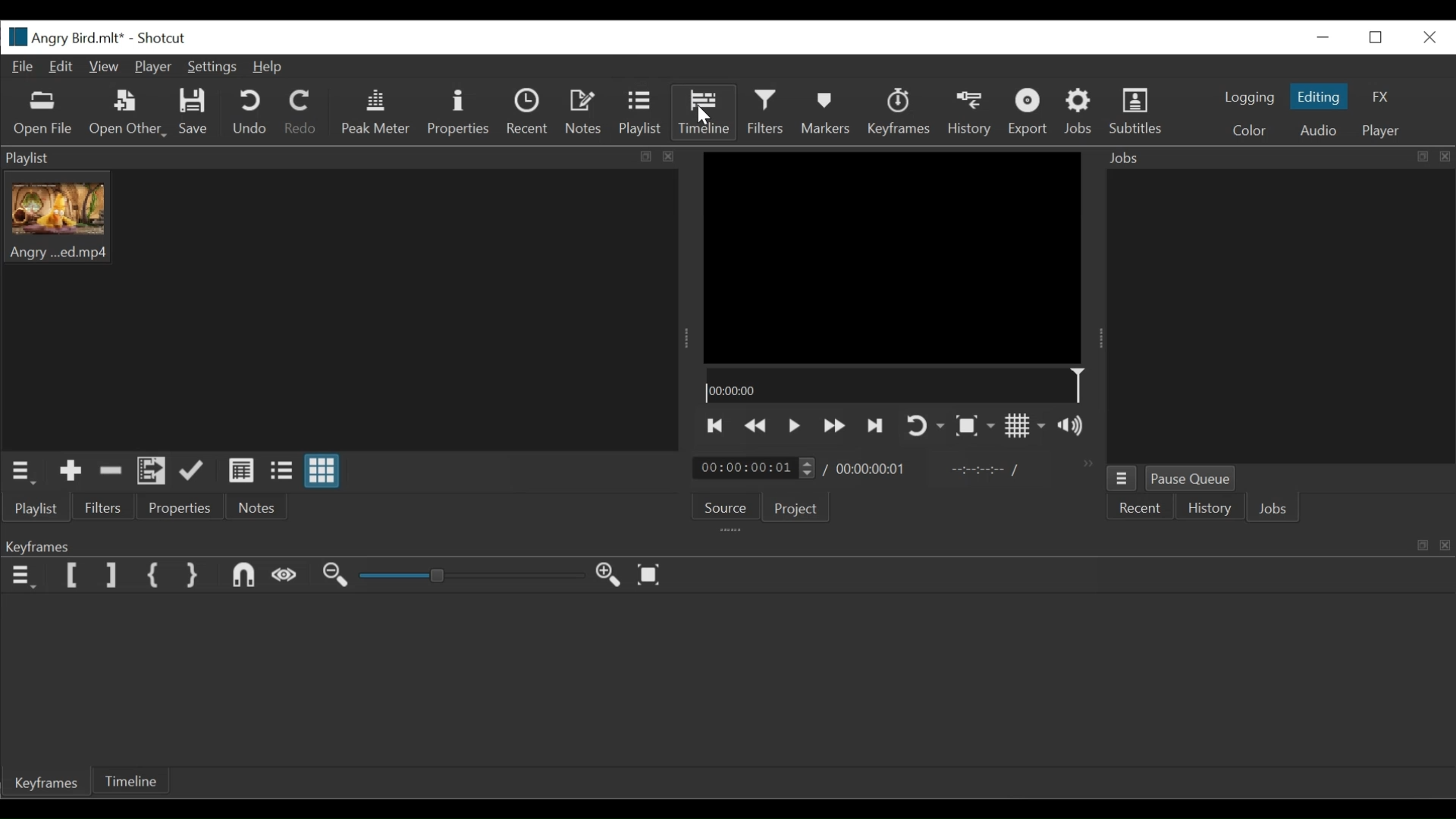  I want to click on Subtitles, so click(1140, 114).